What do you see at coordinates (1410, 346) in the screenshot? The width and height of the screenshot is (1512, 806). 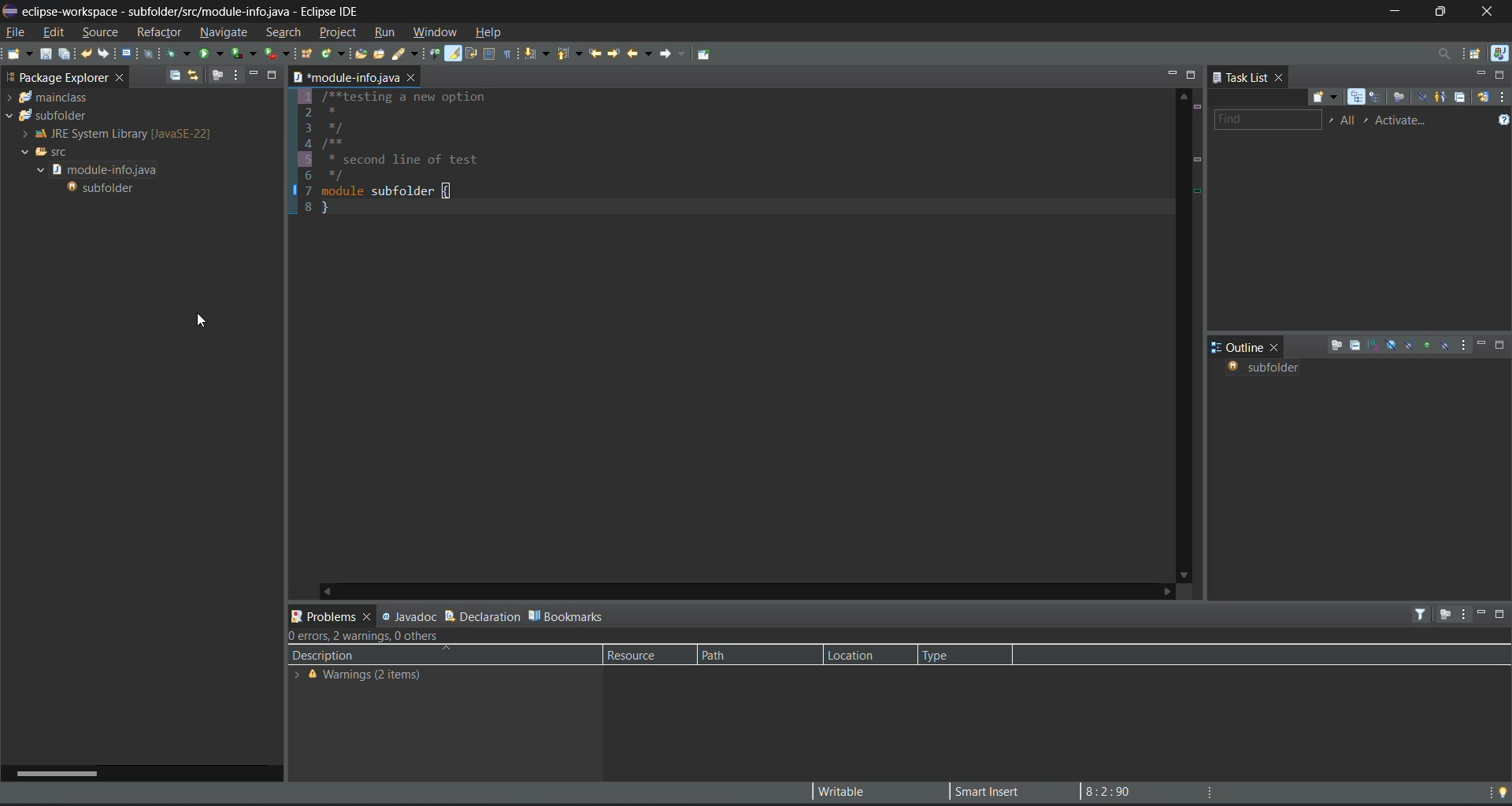 I see `hide static fields and methods` at bounding box center [1410, 346].